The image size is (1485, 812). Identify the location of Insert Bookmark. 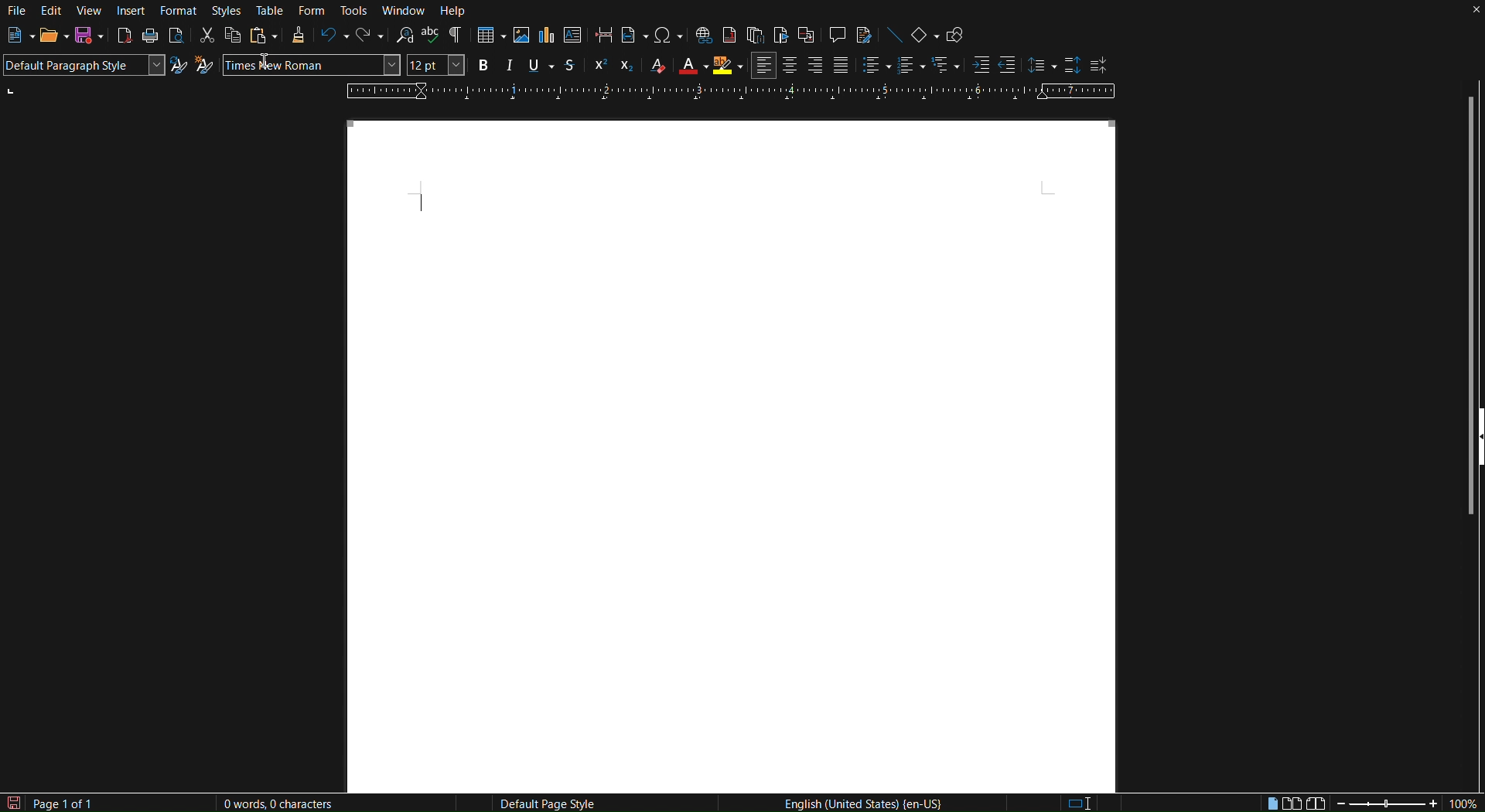
(780, 37).